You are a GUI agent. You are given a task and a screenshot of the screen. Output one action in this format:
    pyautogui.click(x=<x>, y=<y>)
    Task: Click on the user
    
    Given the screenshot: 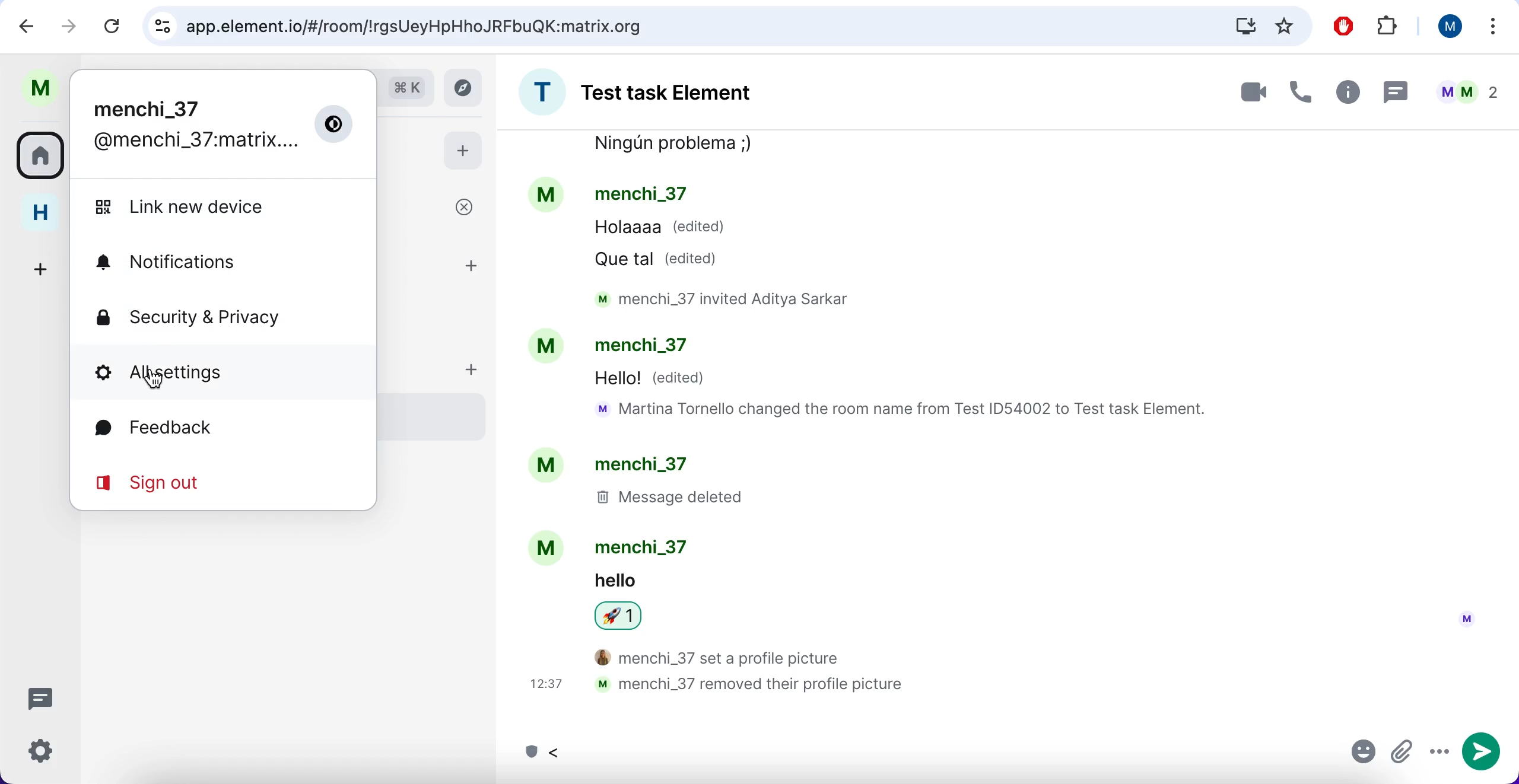 What is the action you would take?
    pyautogui.click(x=40, y=85)
    